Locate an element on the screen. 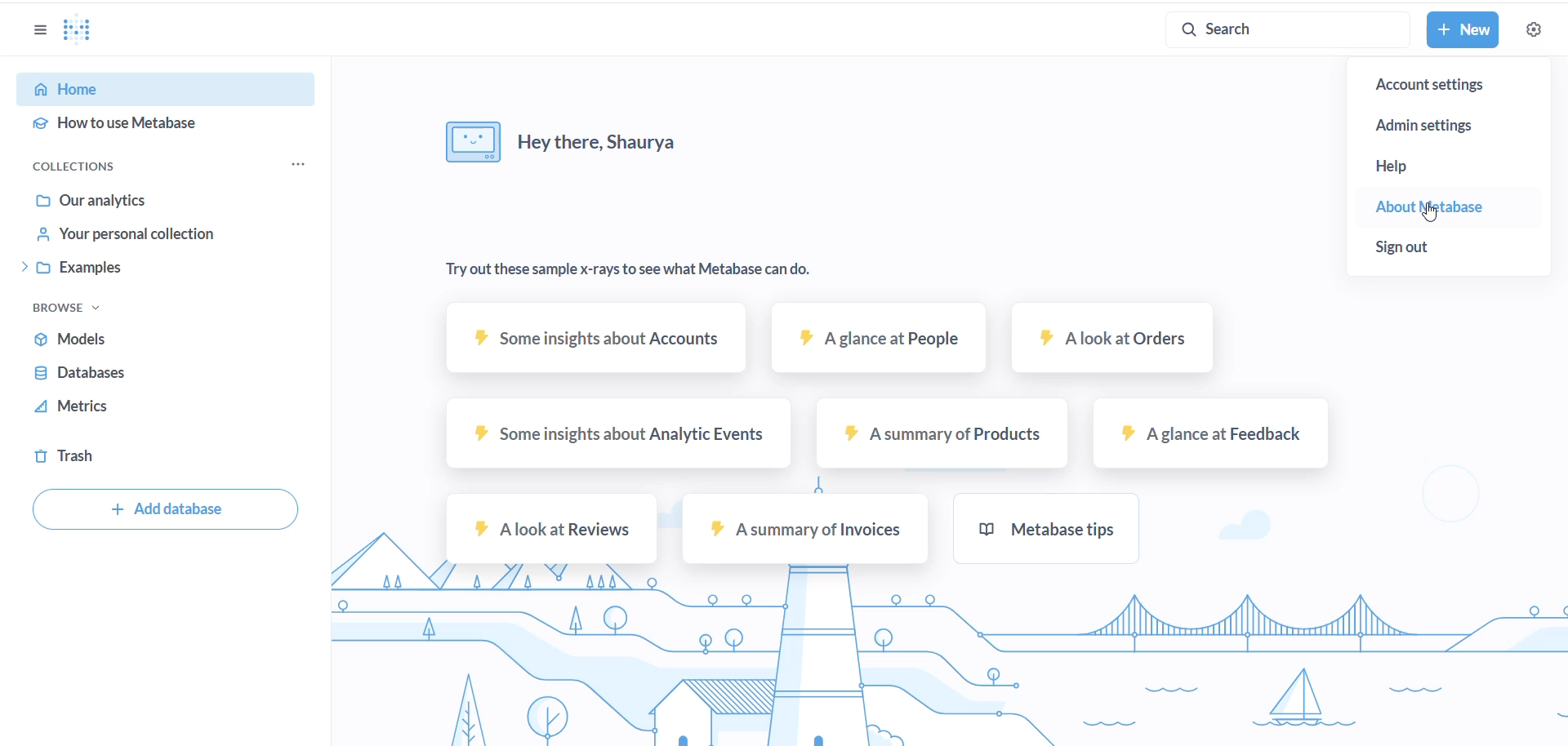 This screenshot has width=1568, height=746. A look at review sample is located at coordinates (548, 534).